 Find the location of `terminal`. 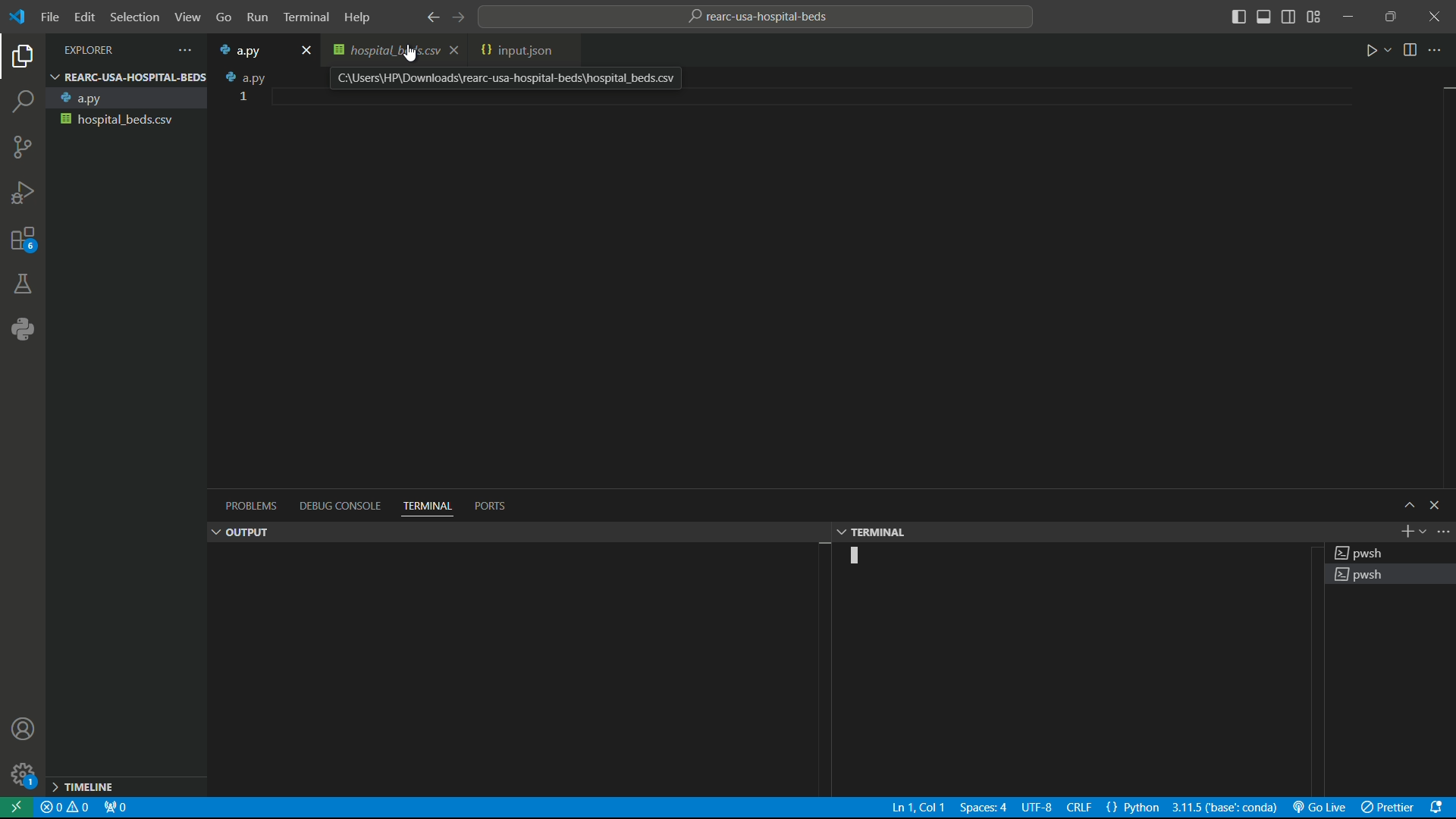

terminal is located at coordinates (875, 532).